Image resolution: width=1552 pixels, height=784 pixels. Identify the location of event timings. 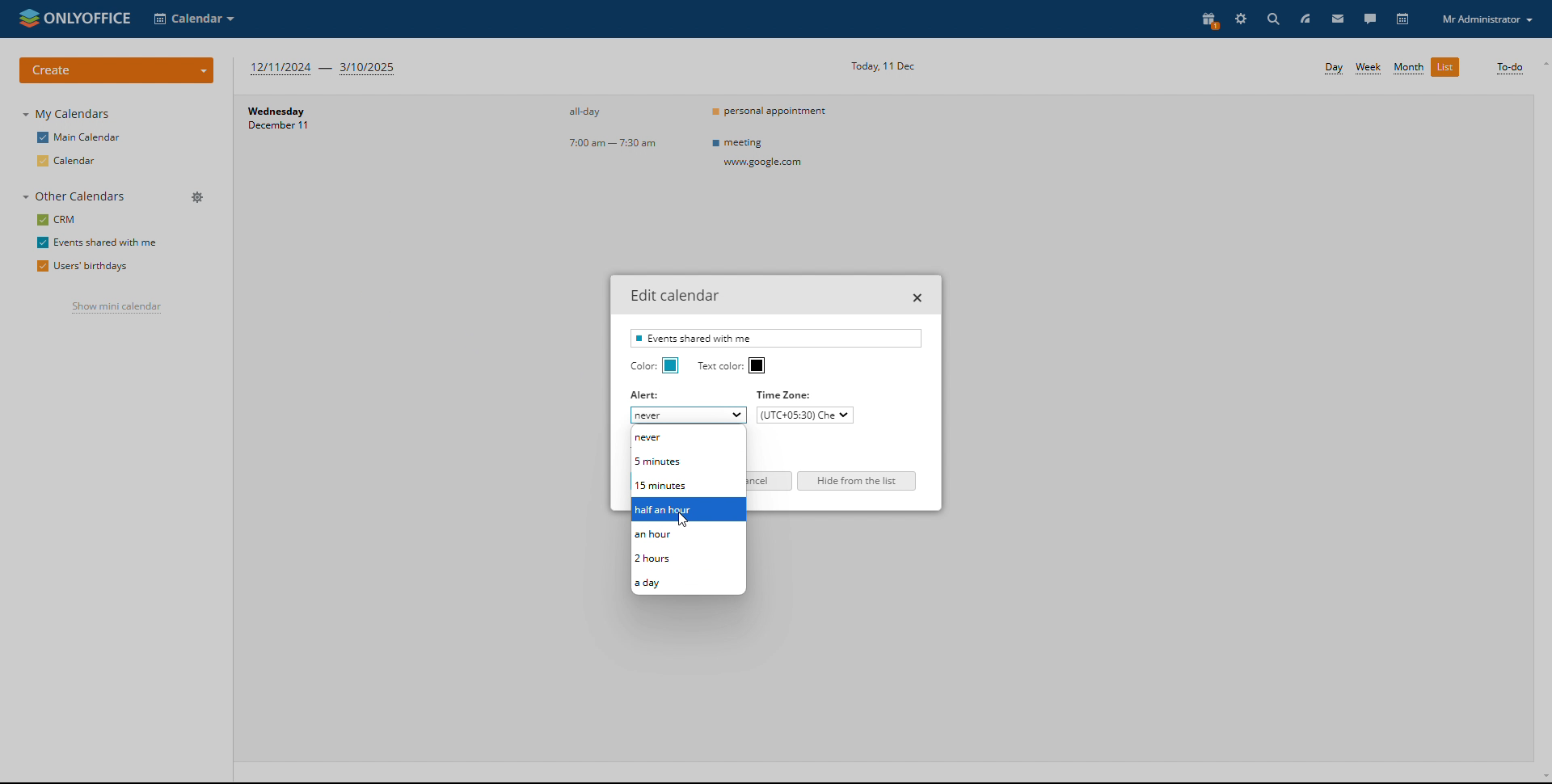
(618, 129).